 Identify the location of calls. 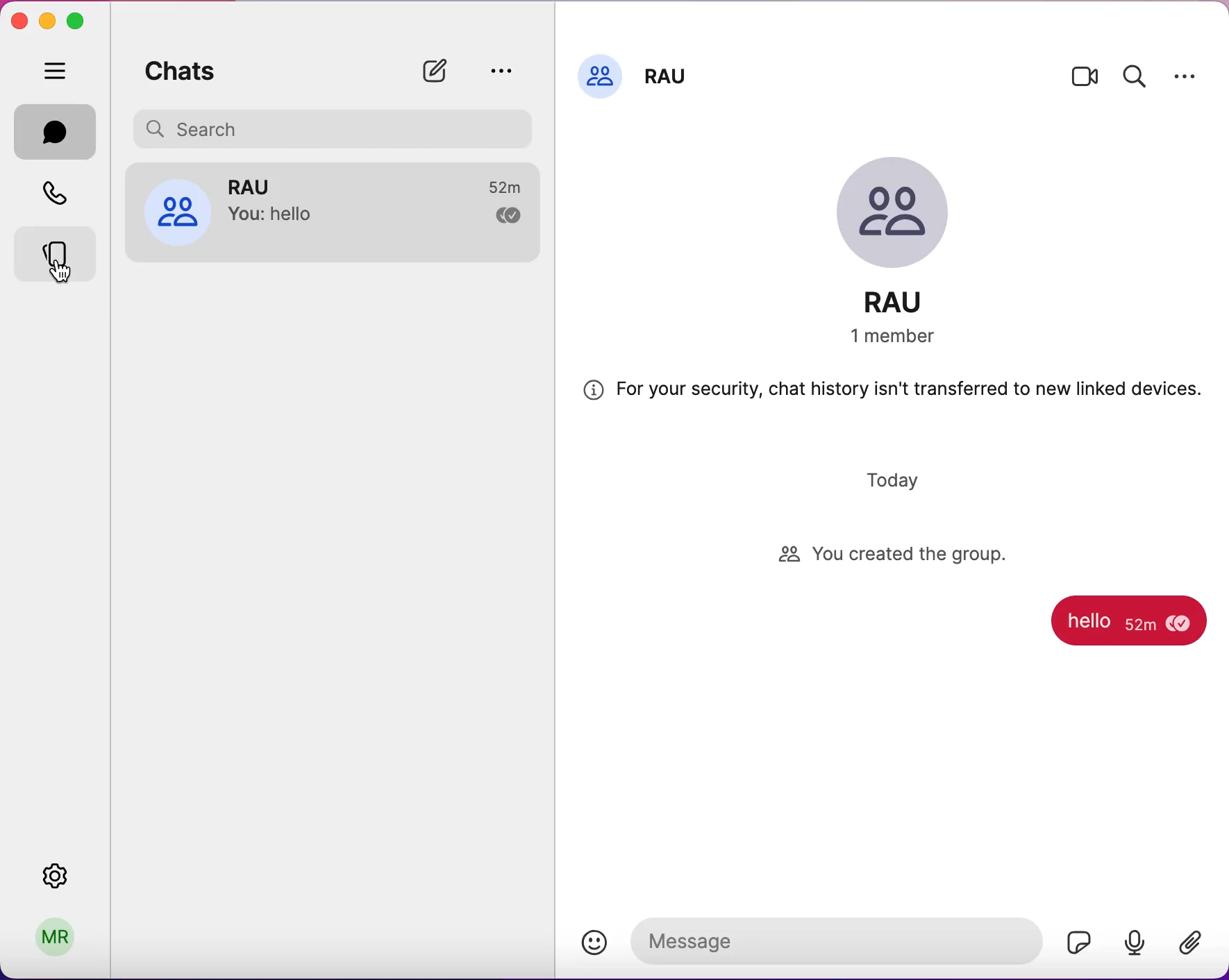
(59, 192).